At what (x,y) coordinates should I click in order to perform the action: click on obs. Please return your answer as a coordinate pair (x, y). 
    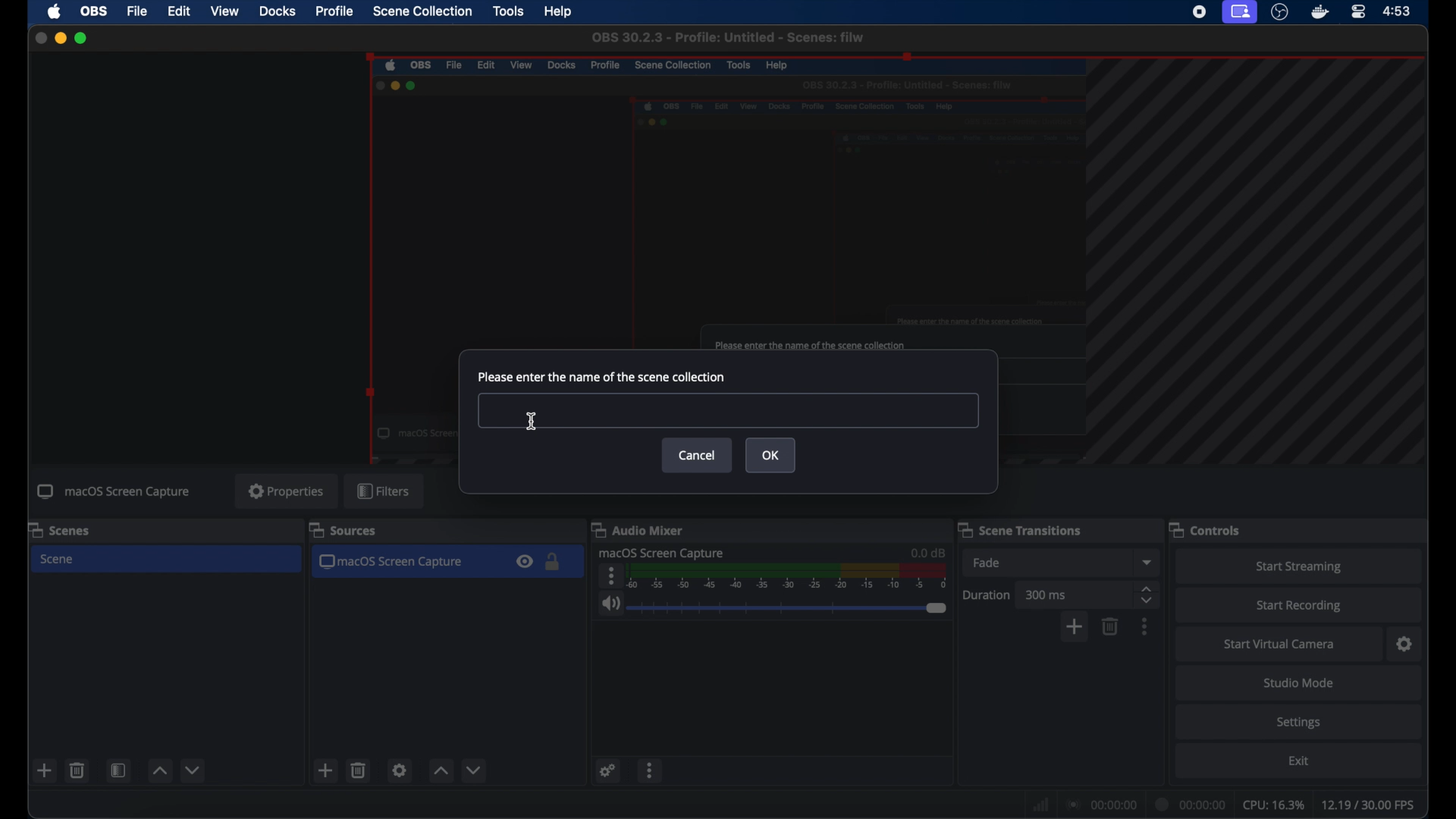
    Looking at the image, I should click on (94, 11).